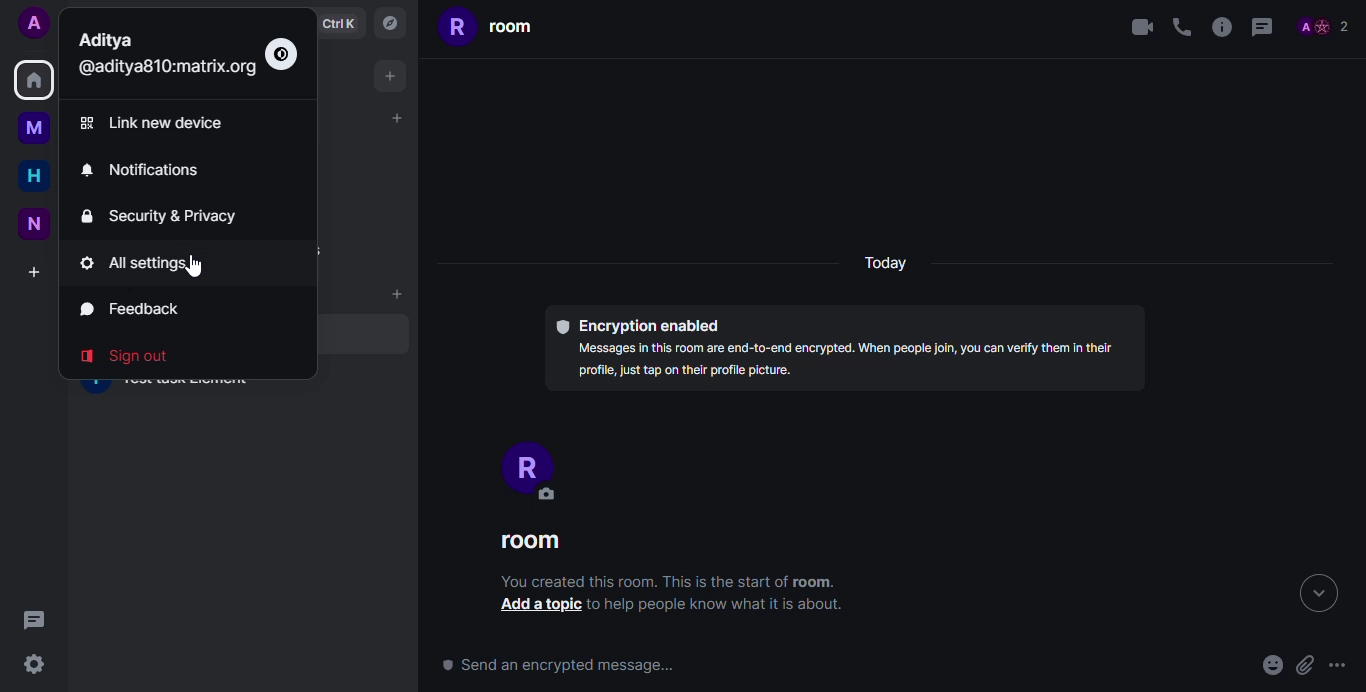 The image size is (1366, 692). Describe the element at coordinates (1271, 666) in the screenshot. I see `emoji` at that location.